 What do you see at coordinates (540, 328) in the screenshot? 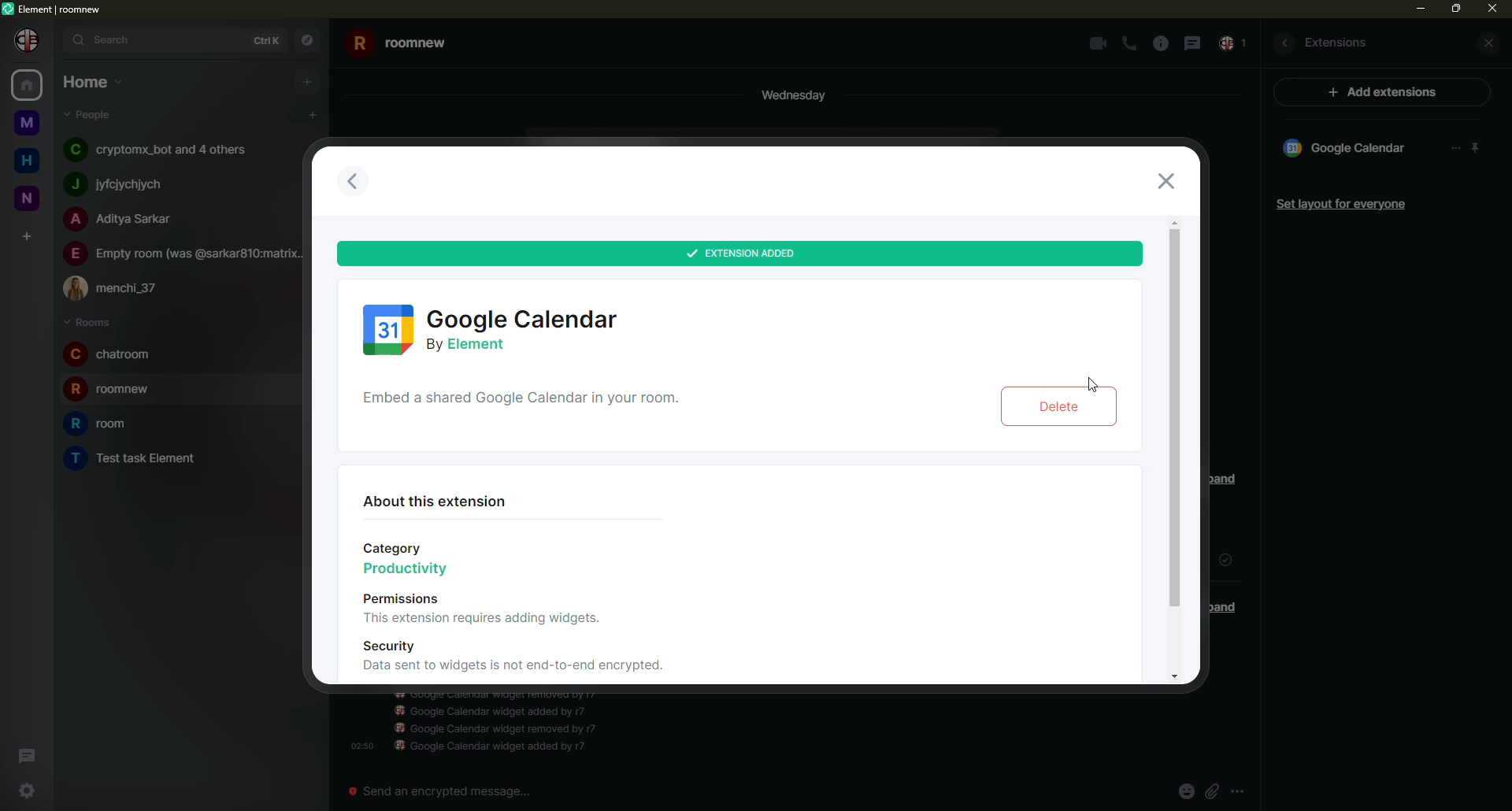
I see `calendar` at bounding box center [540, 328].